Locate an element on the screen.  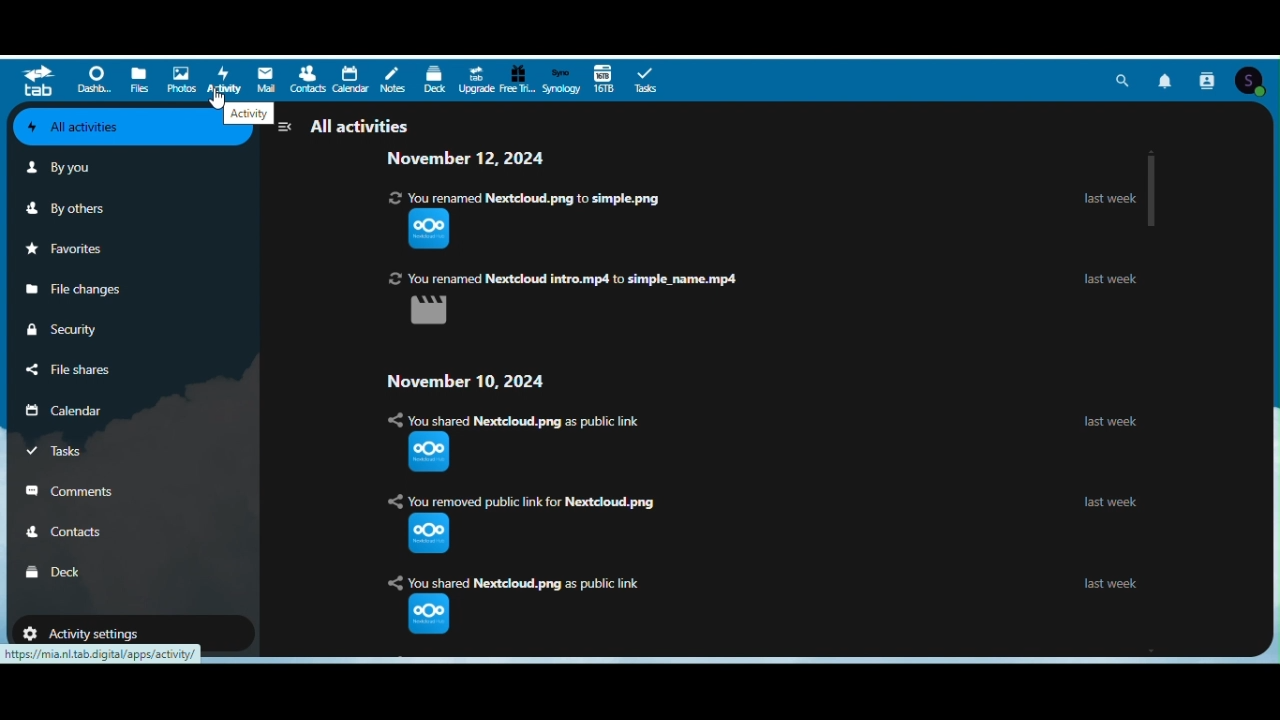
Notes is located at coordinates (391, 80).